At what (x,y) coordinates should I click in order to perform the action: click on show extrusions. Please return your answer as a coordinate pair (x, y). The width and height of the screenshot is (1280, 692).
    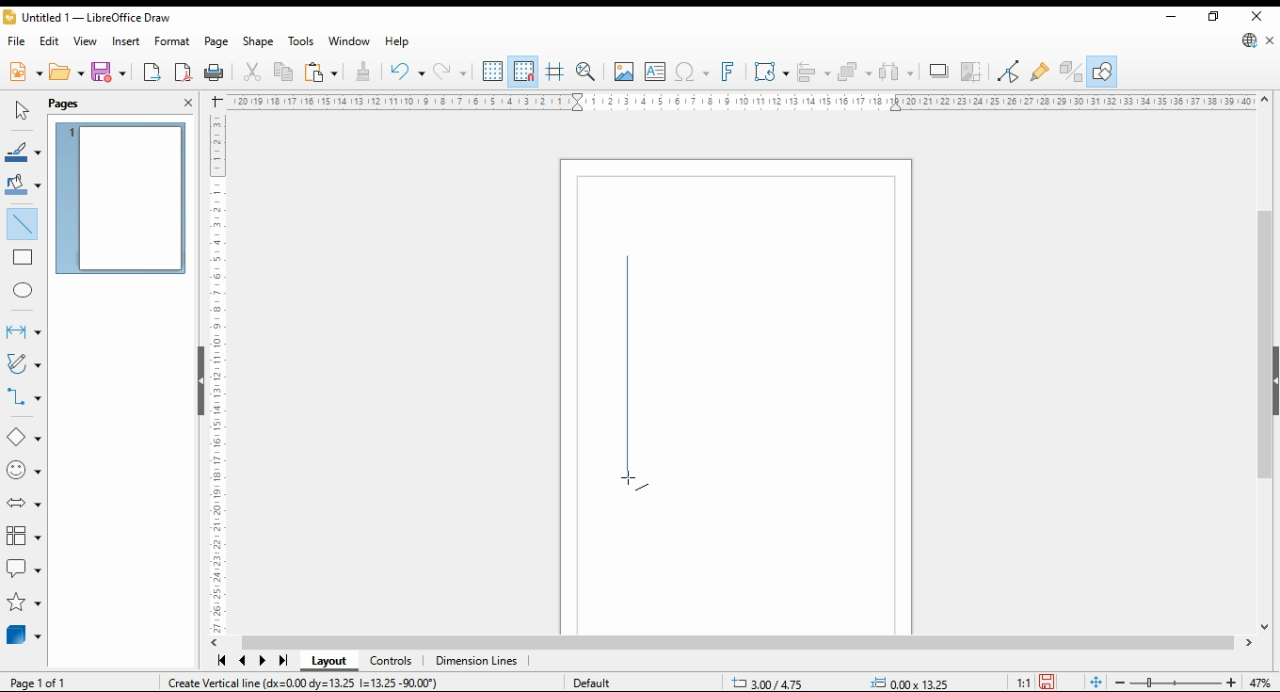
    Looking at the image, I should click on (1070, 71).